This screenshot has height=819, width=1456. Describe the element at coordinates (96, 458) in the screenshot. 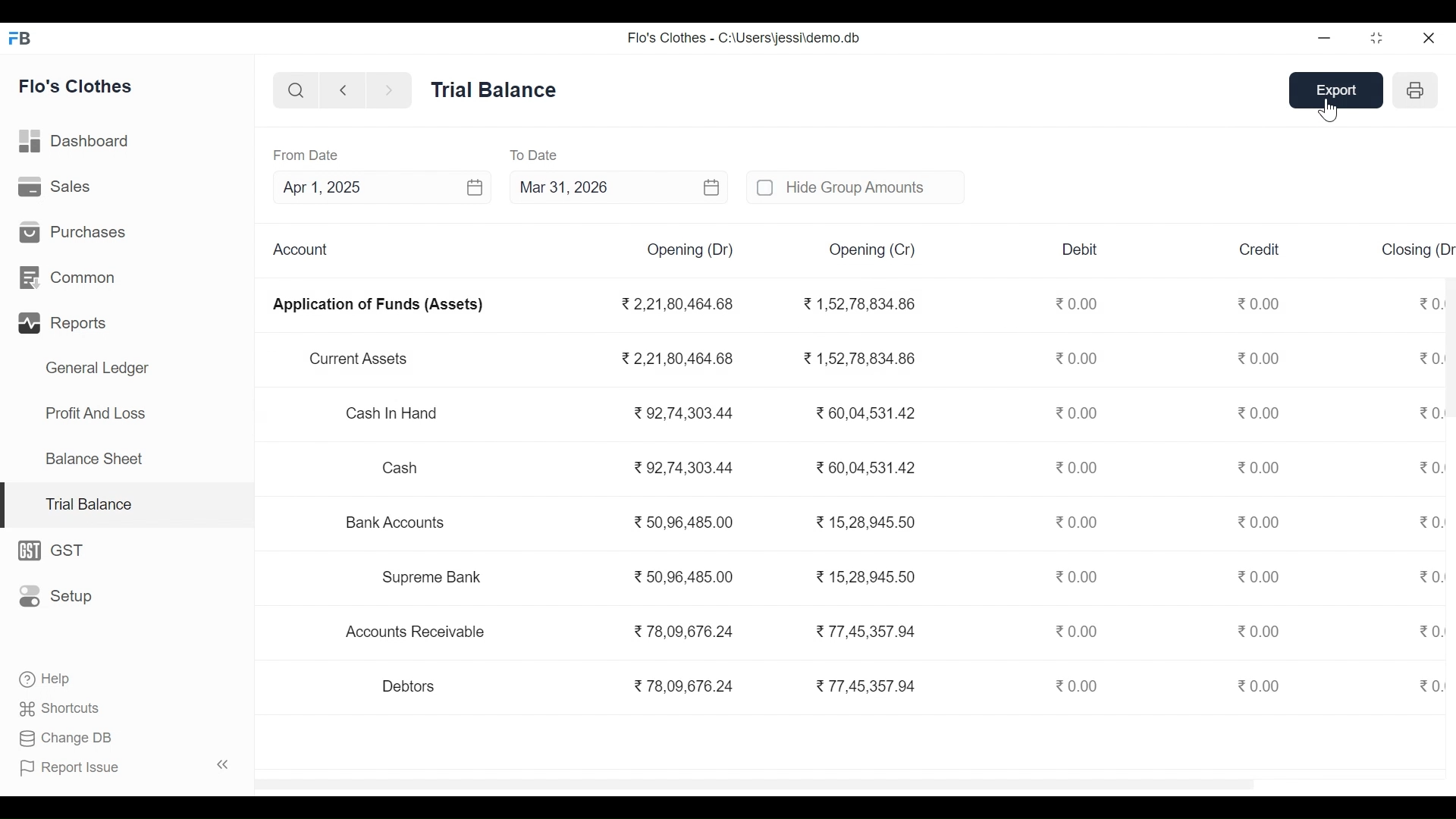

I see `Balance Sheet` at that location.